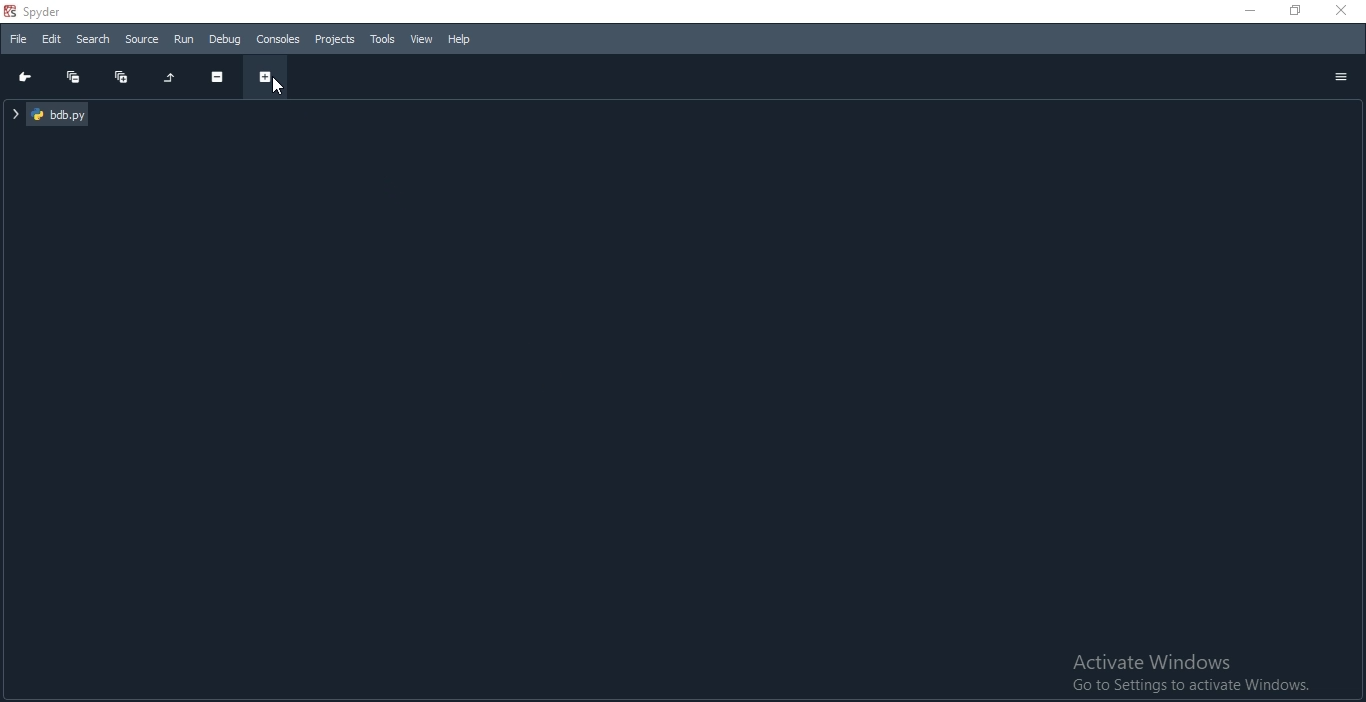  I want to click on Run, so click(182, 39).